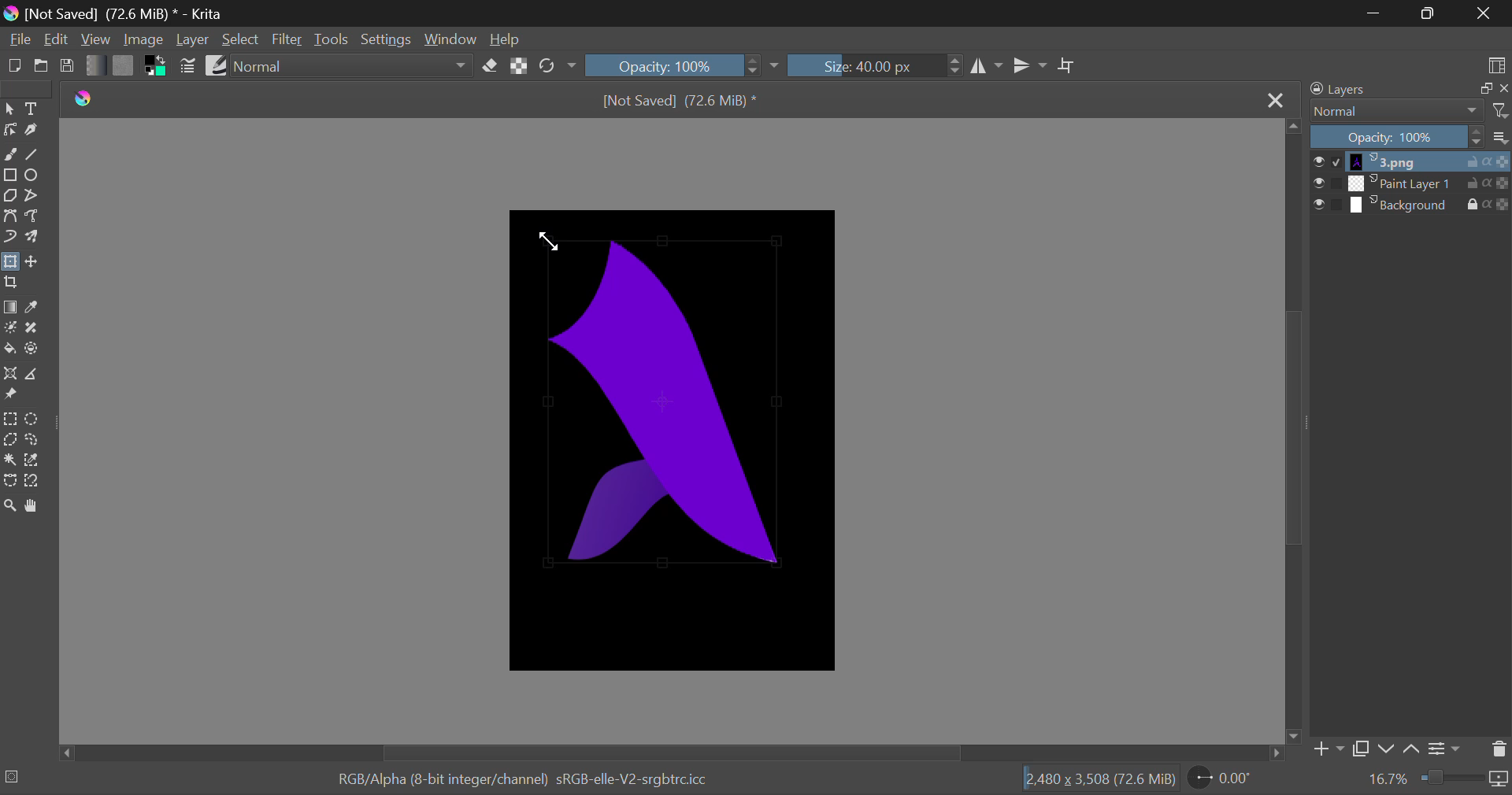 The width and height of the screenshot is (1512, 795). Describe the element at coordinates (10, 264) in the screenshot. I see `Transform Layers` at that location.